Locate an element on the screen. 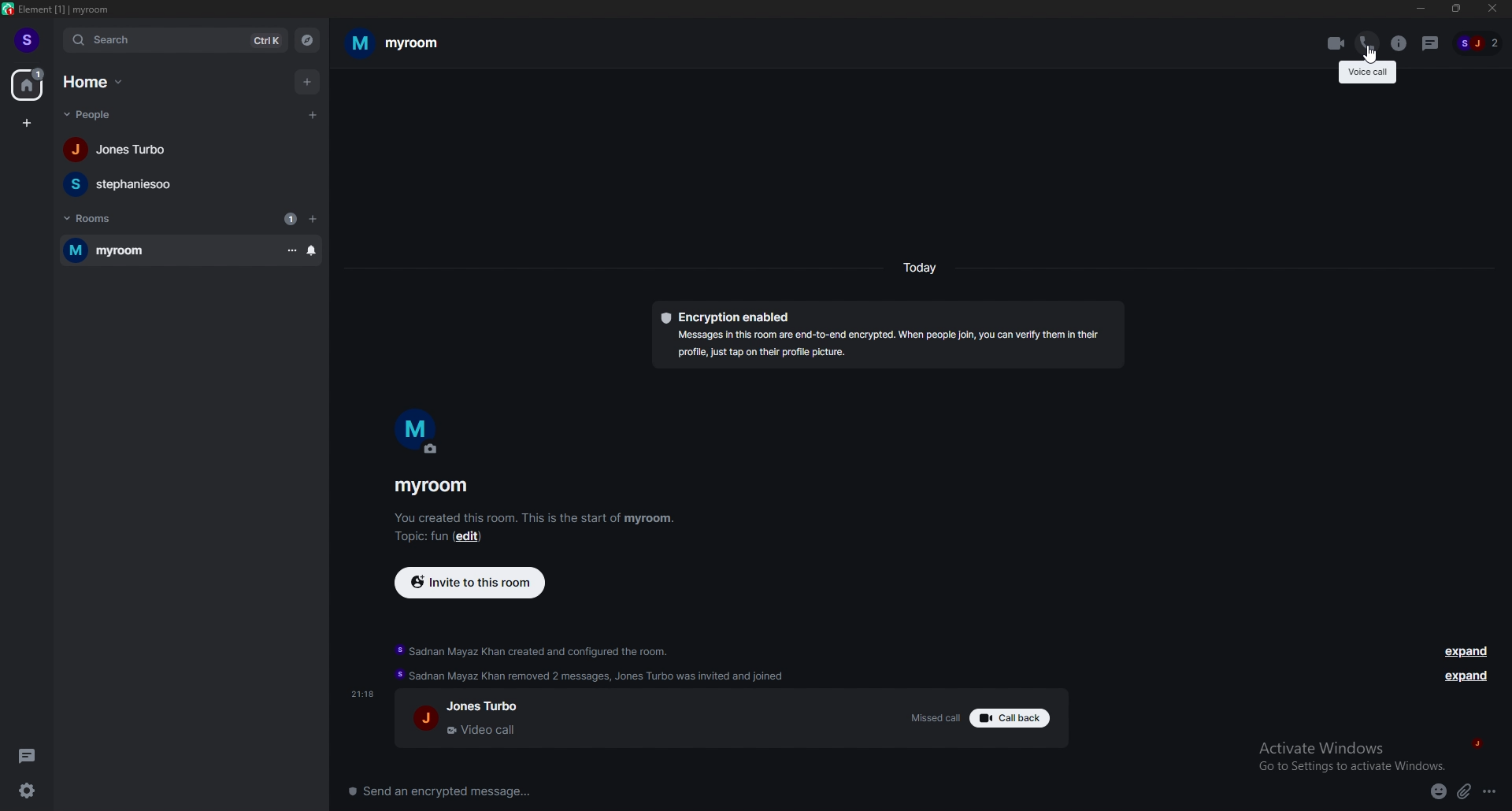 The width and height of the screenshot is (1512, 811). add is located at coordinates (306, 80).